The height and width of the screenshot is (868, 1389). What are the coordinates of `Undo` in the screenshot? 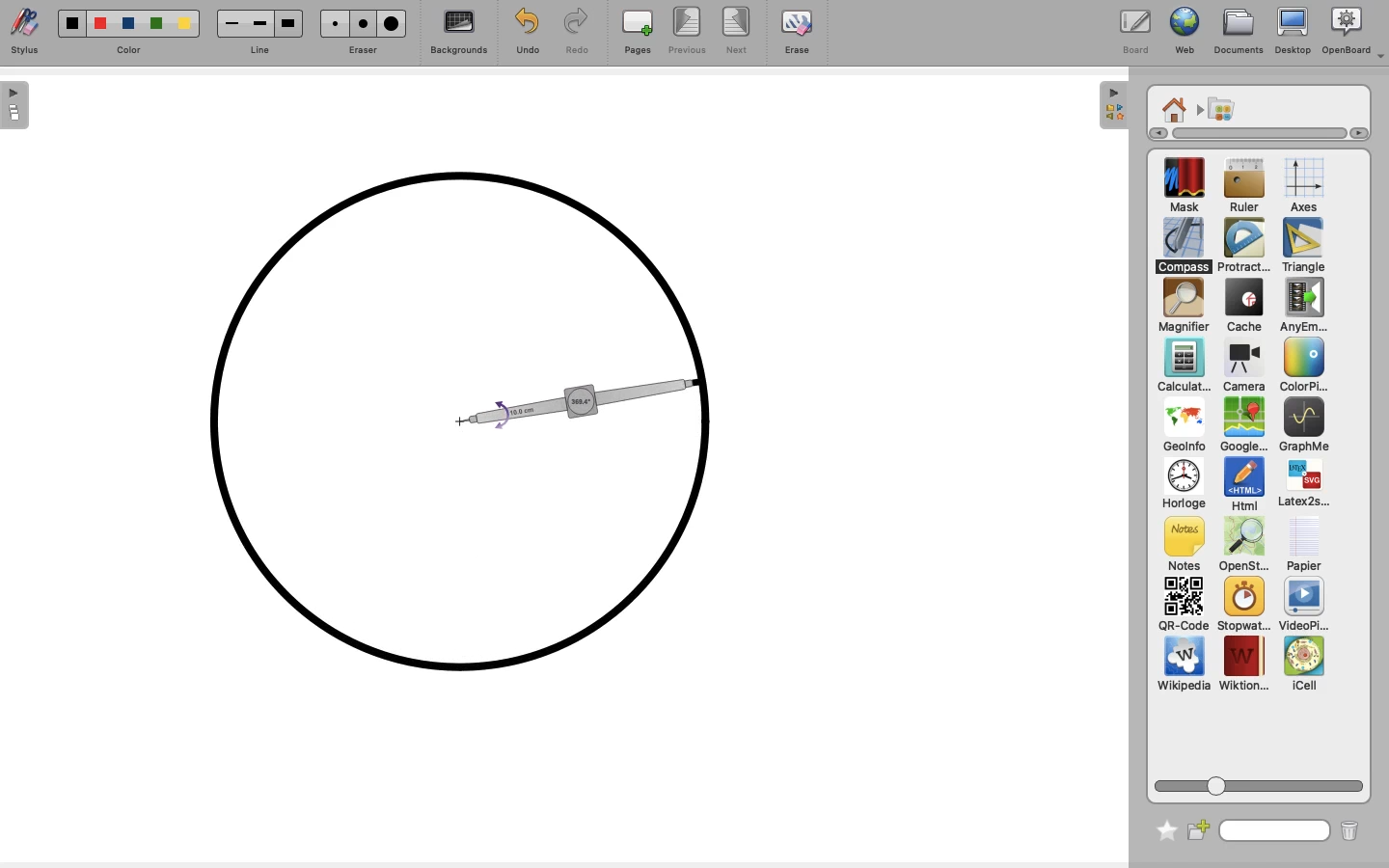 It's located at (525, 31).